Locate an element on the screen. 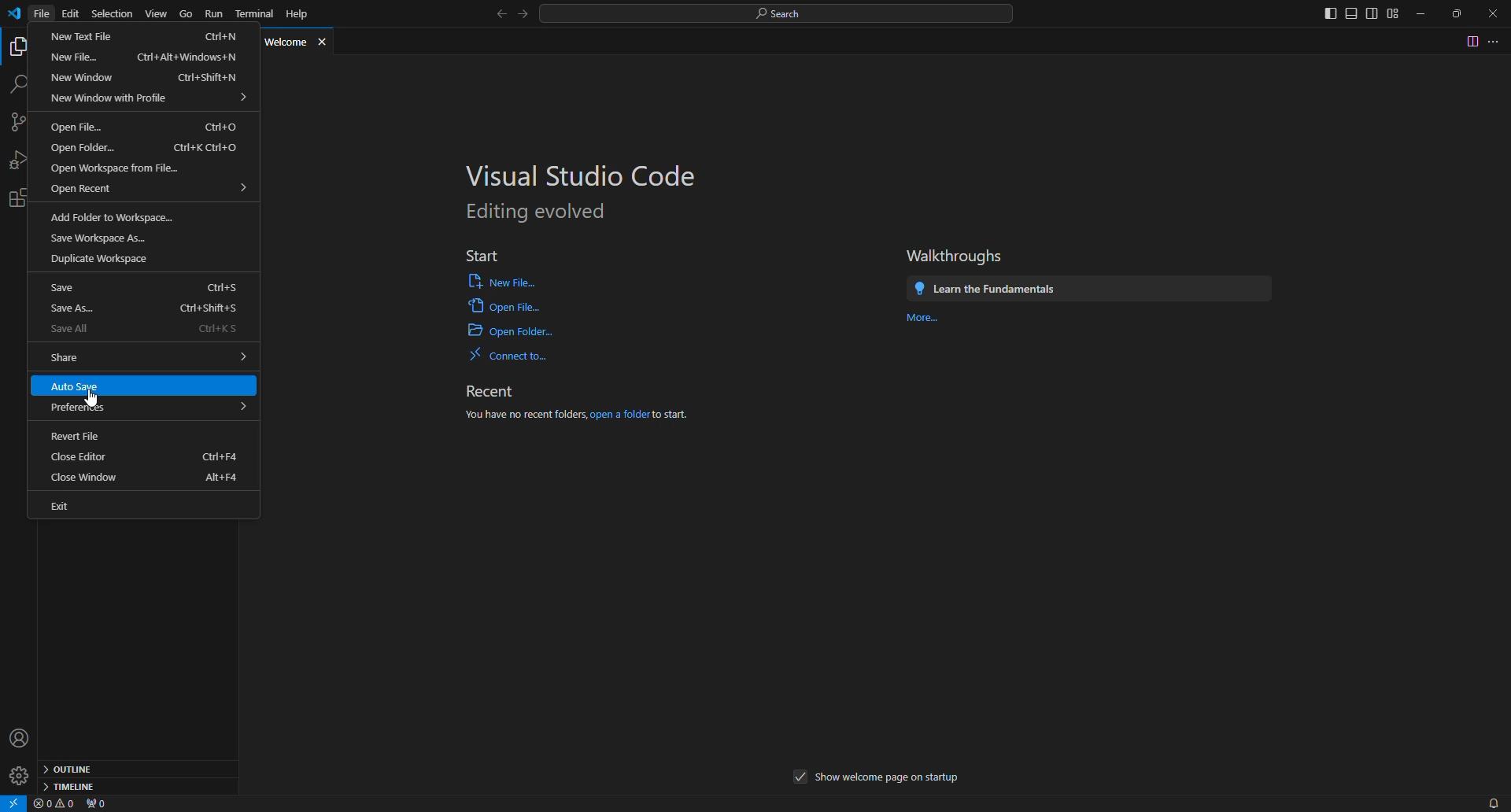 The height and width of the screenshot is (812, 1511). close window is located at coordinates (86, 478).